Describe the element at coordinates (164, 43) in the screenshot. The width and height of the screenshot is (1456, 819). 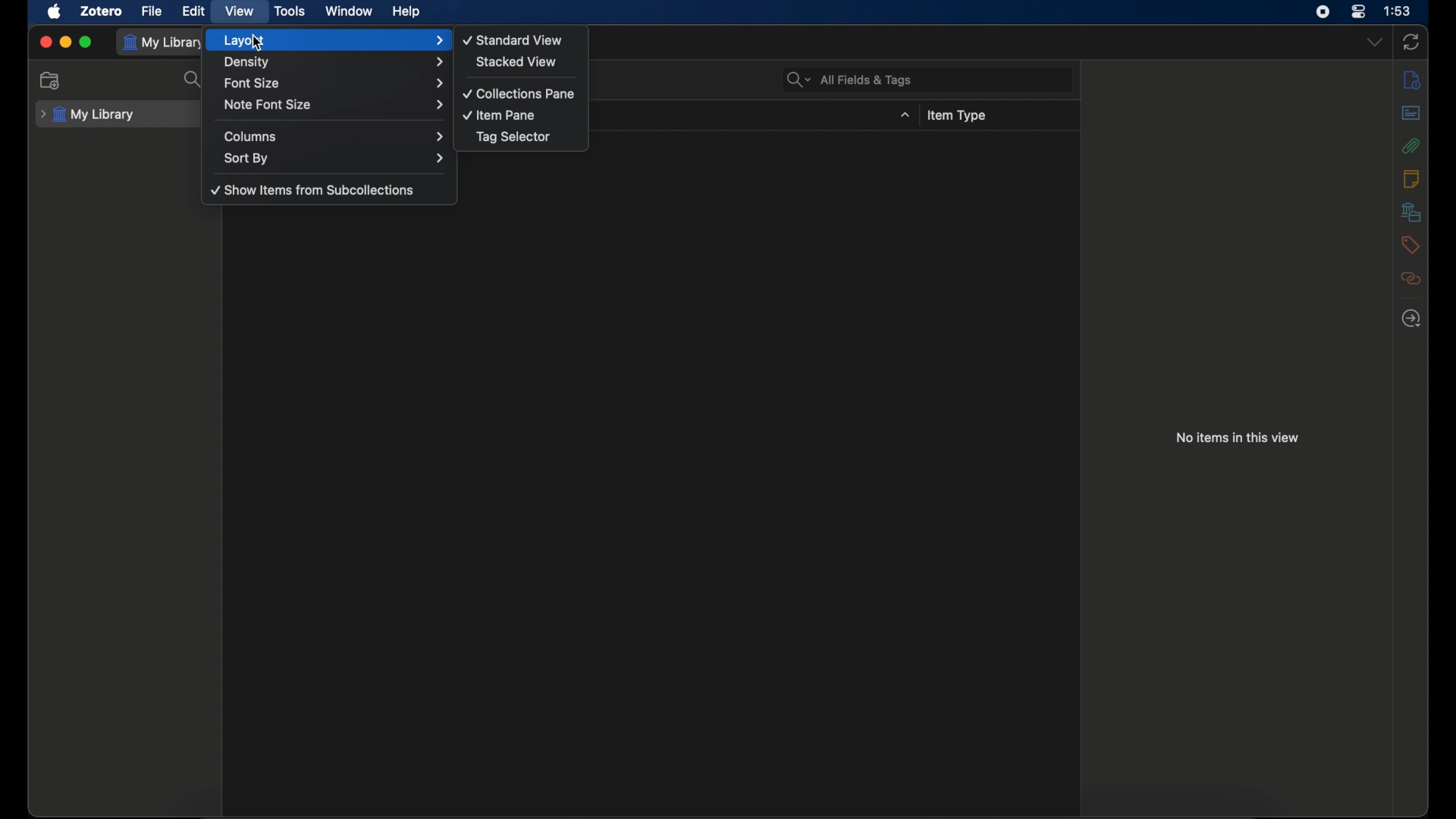
I see `my library` at that location.